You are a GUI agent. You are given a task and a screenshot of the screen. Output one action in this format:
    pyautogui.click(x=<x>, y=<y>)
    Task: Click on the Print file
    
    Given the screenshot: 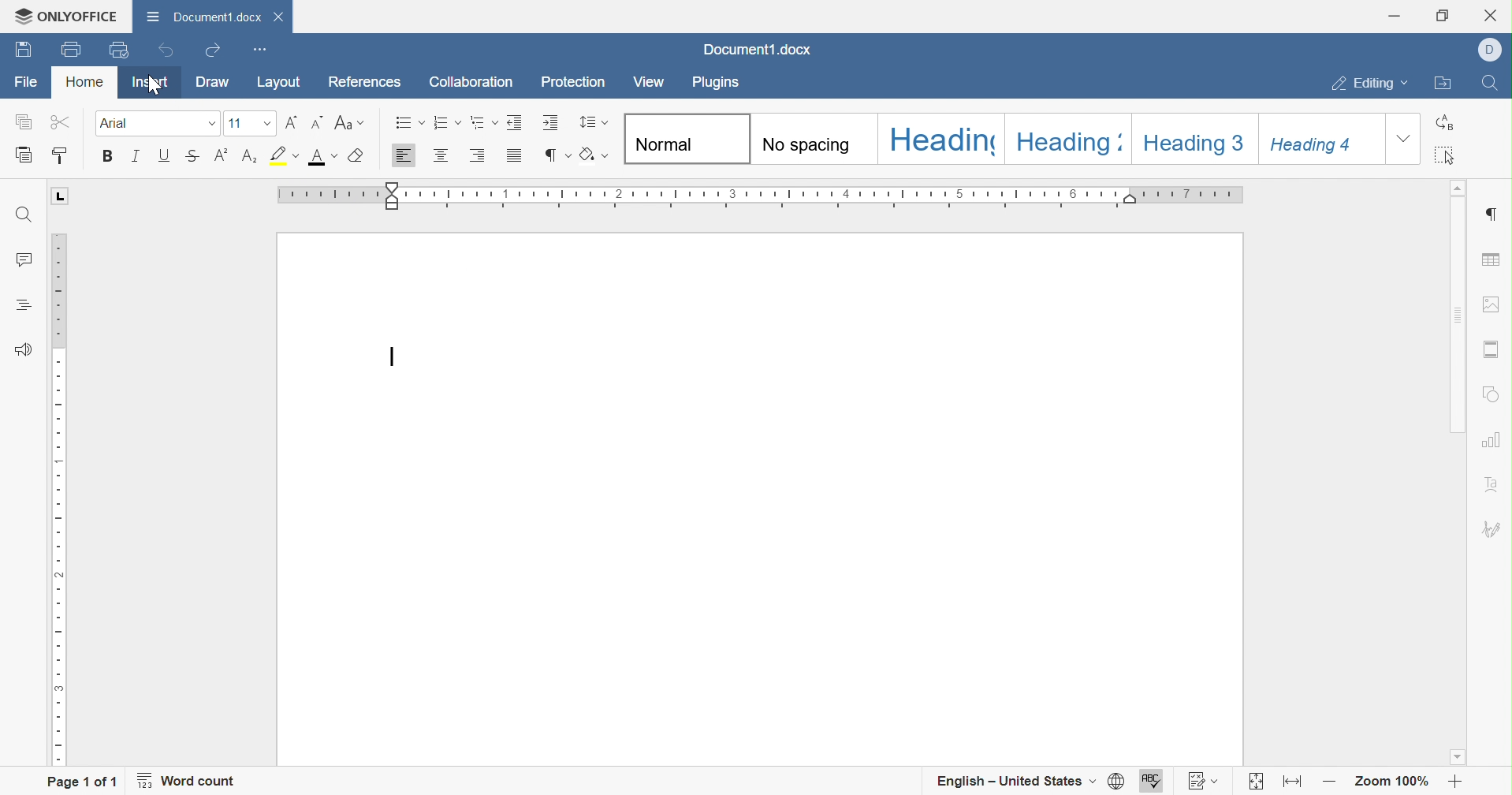 What is the action you would take?
    pyautogui.click(x=74, y=48)
    